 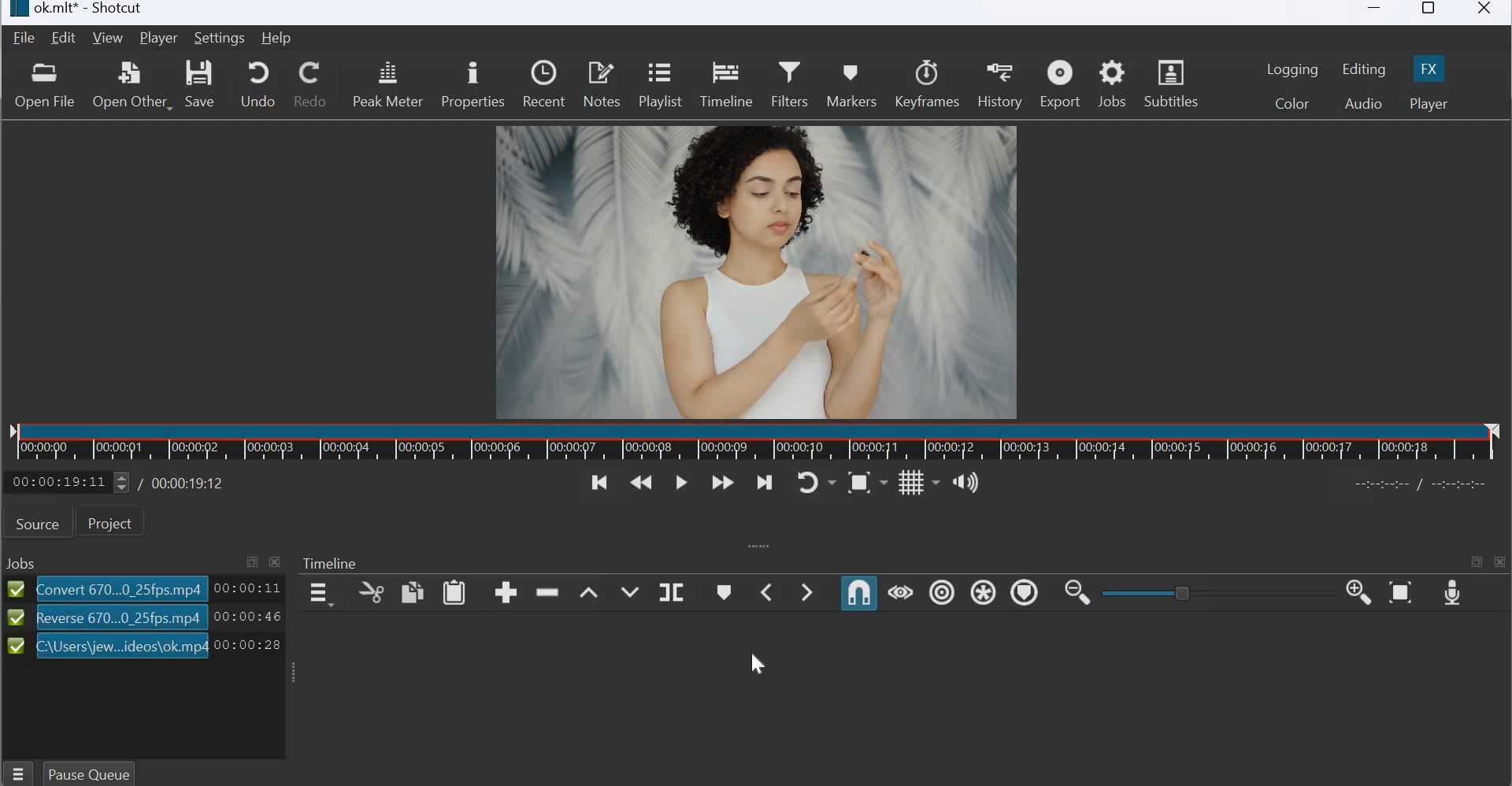 What do you see at coordinates (1375, 13) in the screenshot?
I see `Minimize` at bounding box center [1375, 13].